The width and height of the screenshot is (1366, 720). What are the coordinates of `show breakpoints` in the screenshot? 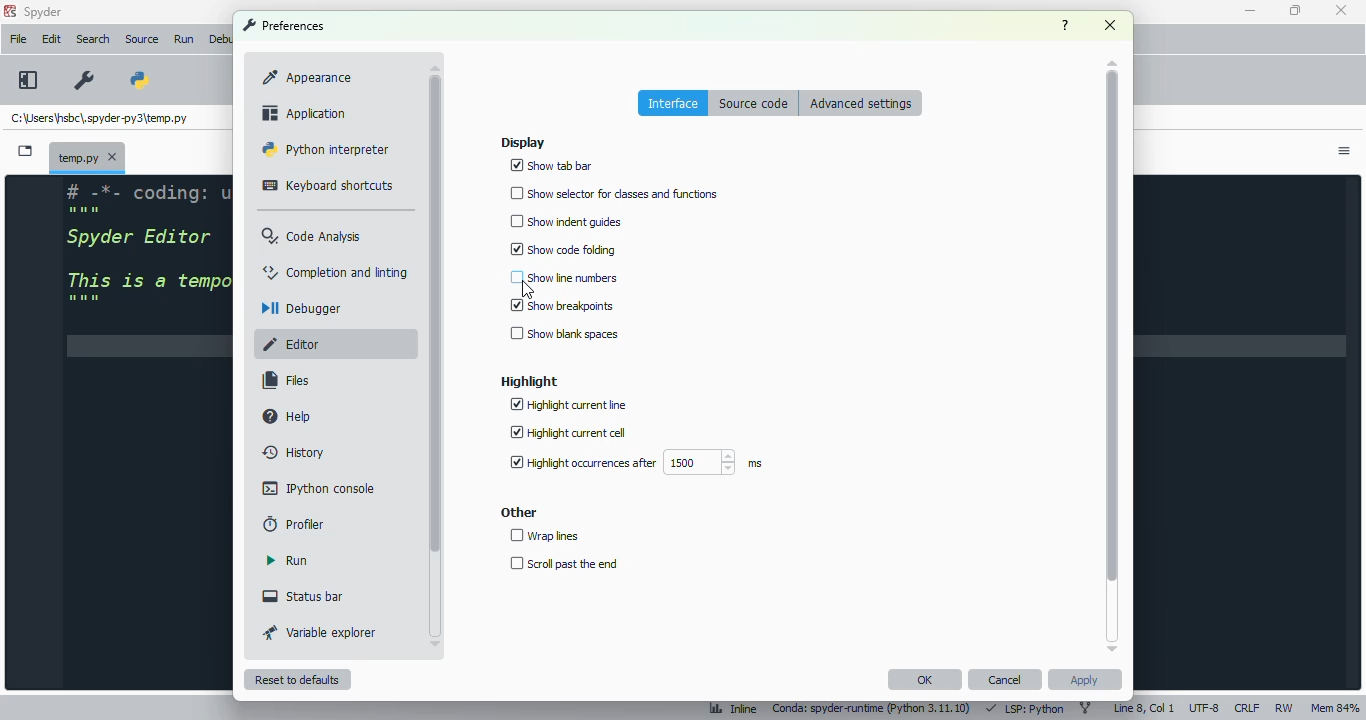 It's located at (562, 305).